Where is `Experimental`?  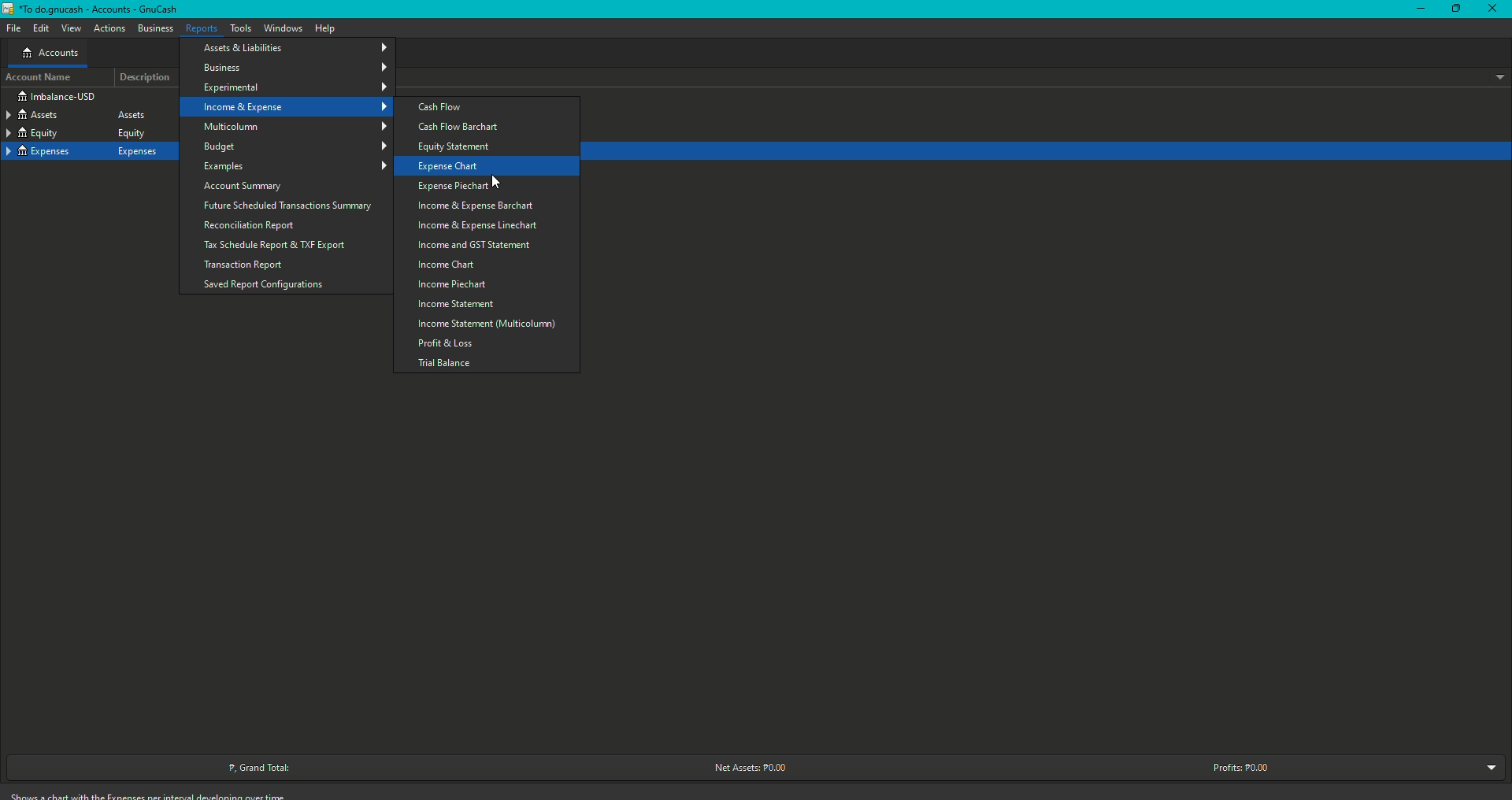
Experimental is located at coordinates (296, 87).